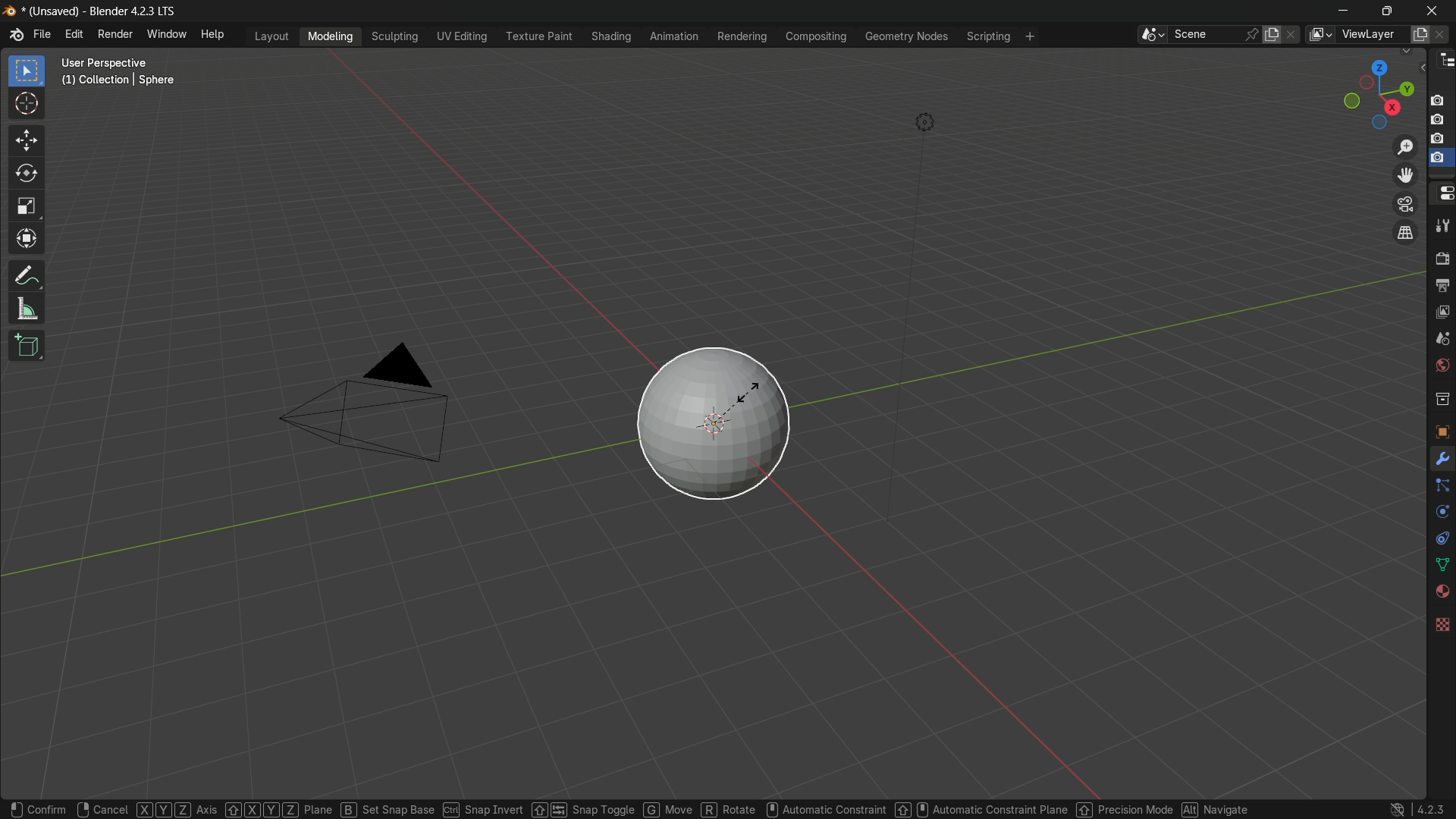 The width and height of the screenshot is (1456, 819). Describe the element at coordinates (1340, 11) in the screenshot. I see `minimize` at that location.